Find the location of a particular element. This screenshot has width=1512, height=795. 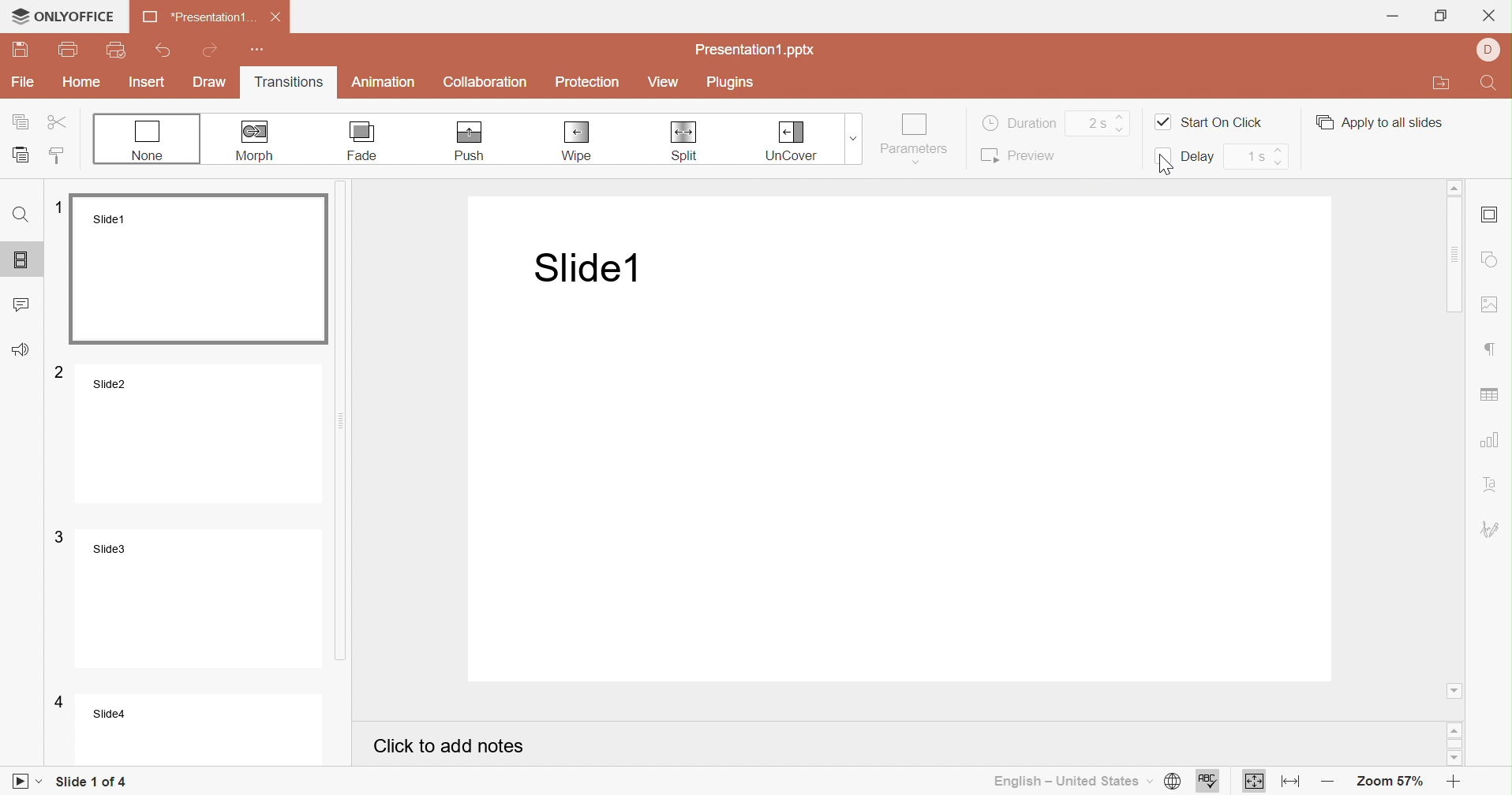

Scroll bar is located at coordinates (354, 425).